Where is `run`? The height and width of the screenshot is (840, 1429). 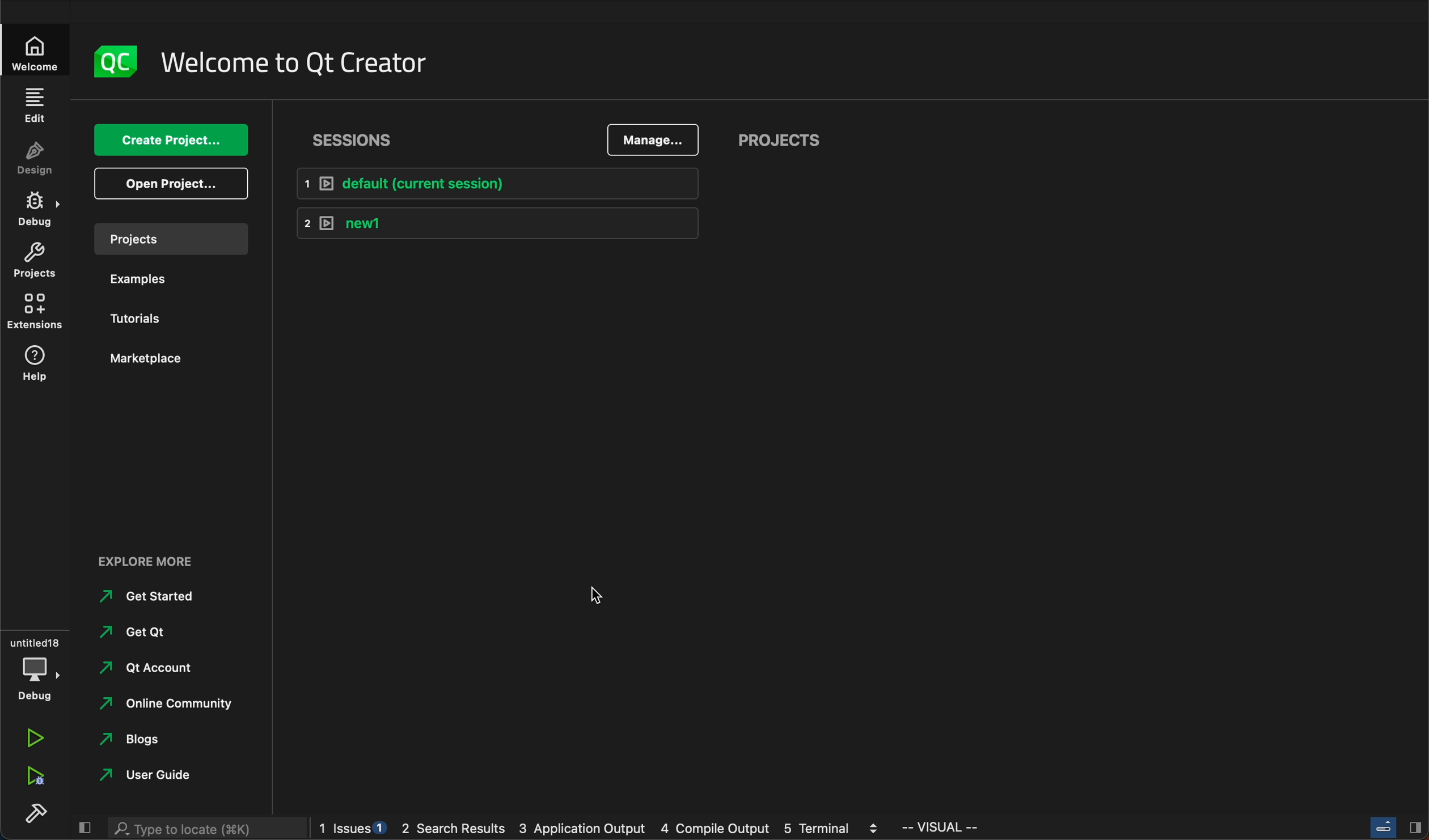
run is located at coordinates (34, 740).